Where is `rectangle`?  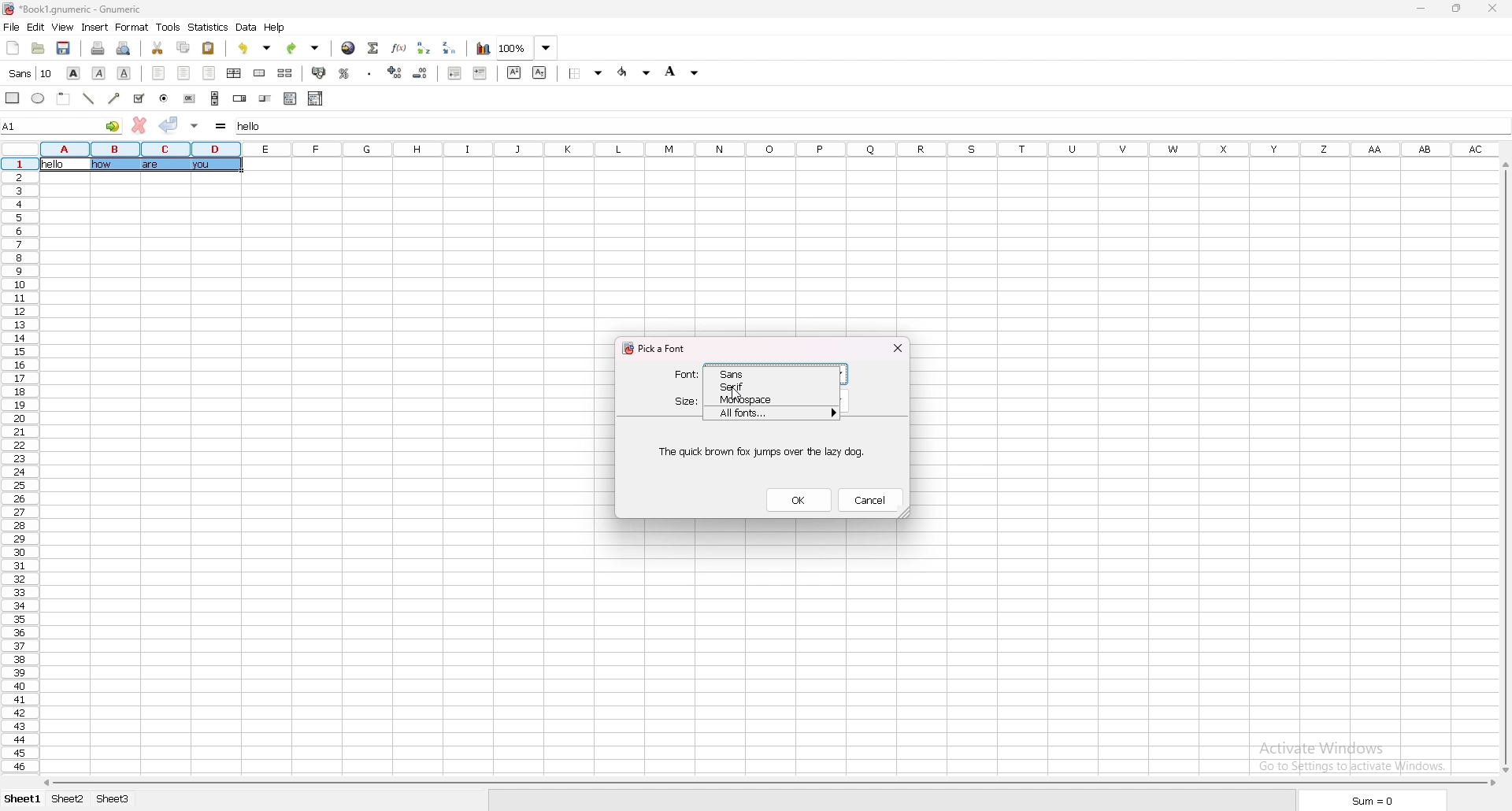 rectangle is located at coordinates (12, 98).